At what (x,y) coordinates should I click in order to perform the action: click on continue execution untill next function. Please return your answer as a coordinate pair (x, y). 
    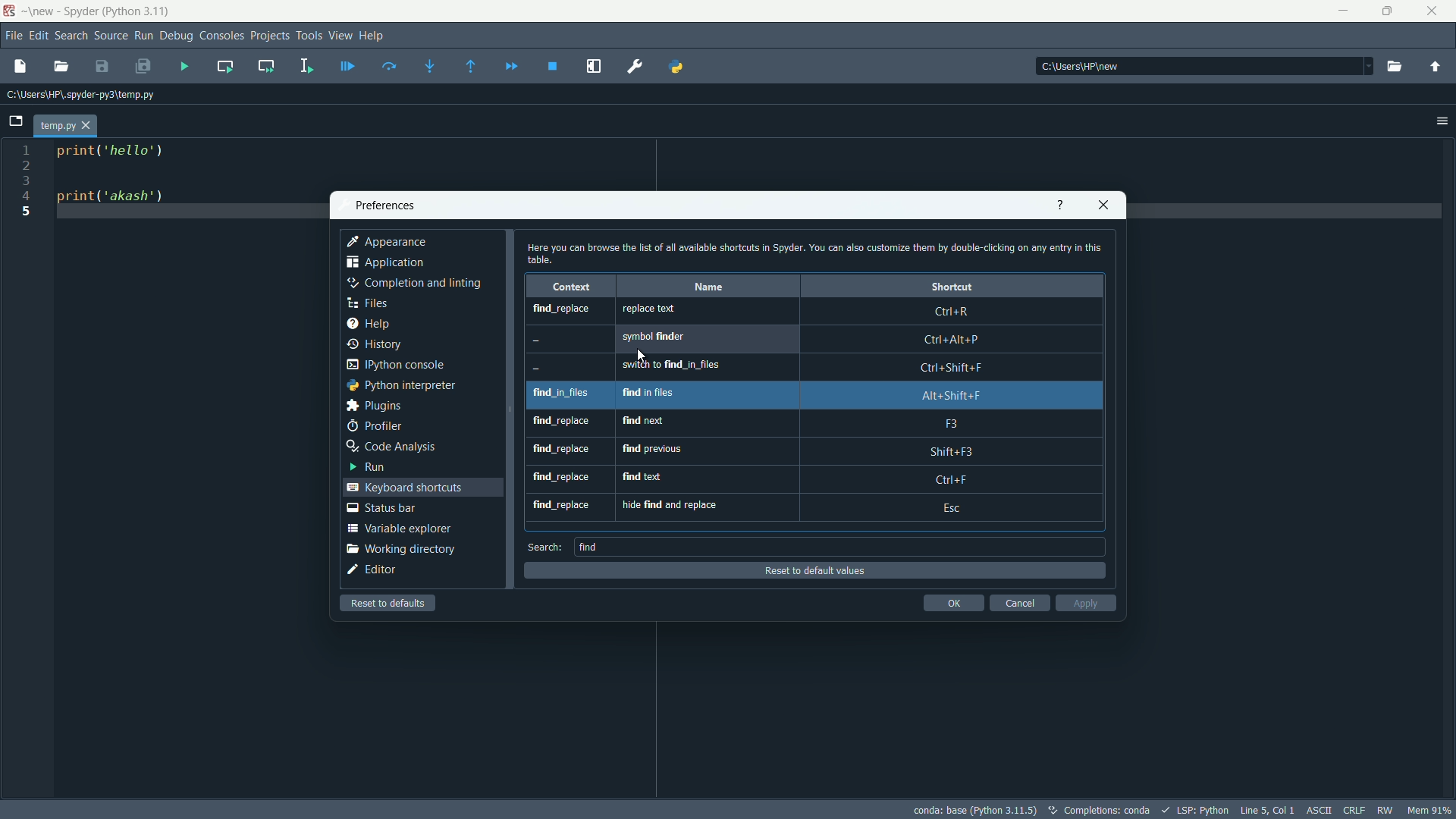
    Looking at the image, I should click on (473, 67).